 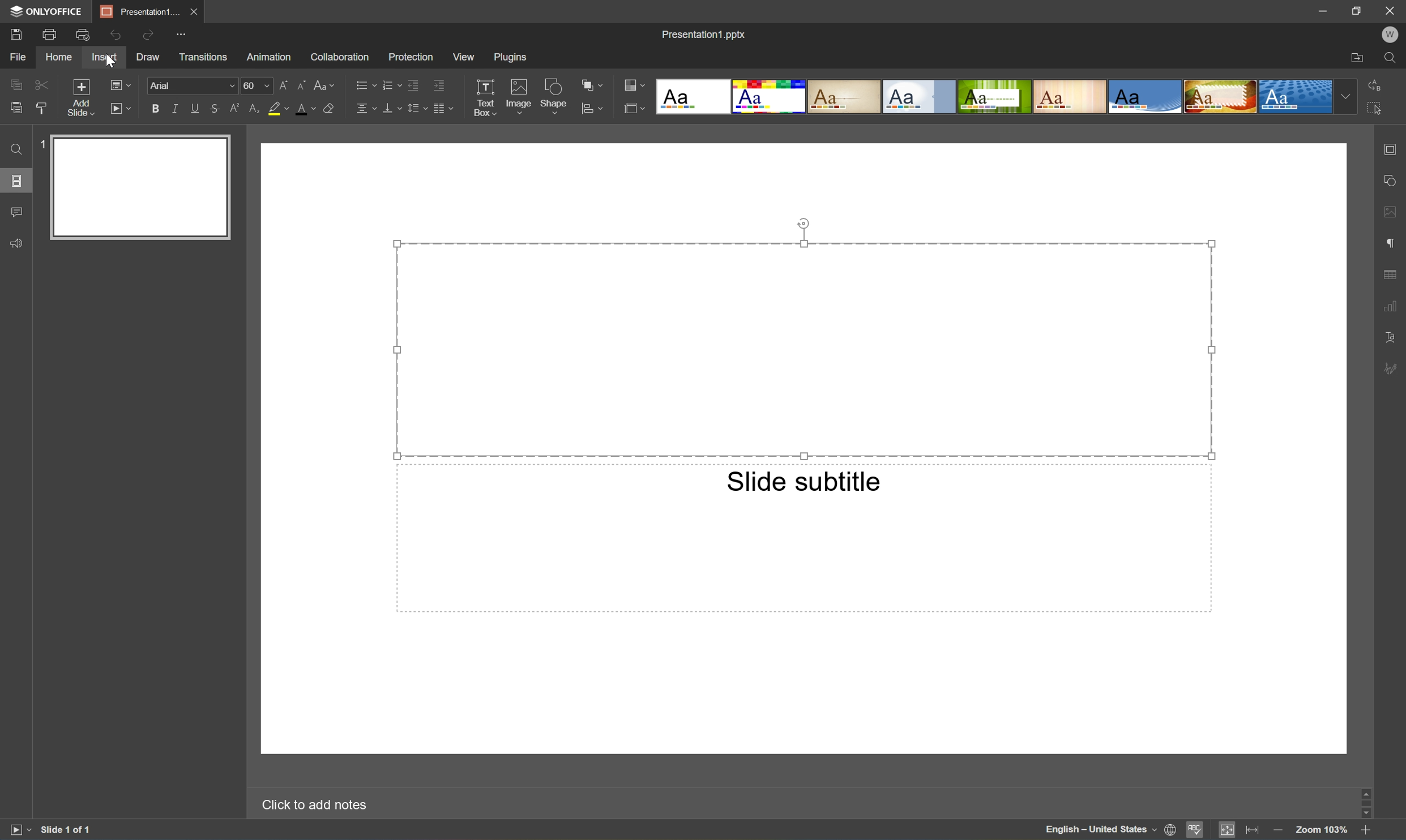 I want to click on Line spacing, so click(x=417, y=108).